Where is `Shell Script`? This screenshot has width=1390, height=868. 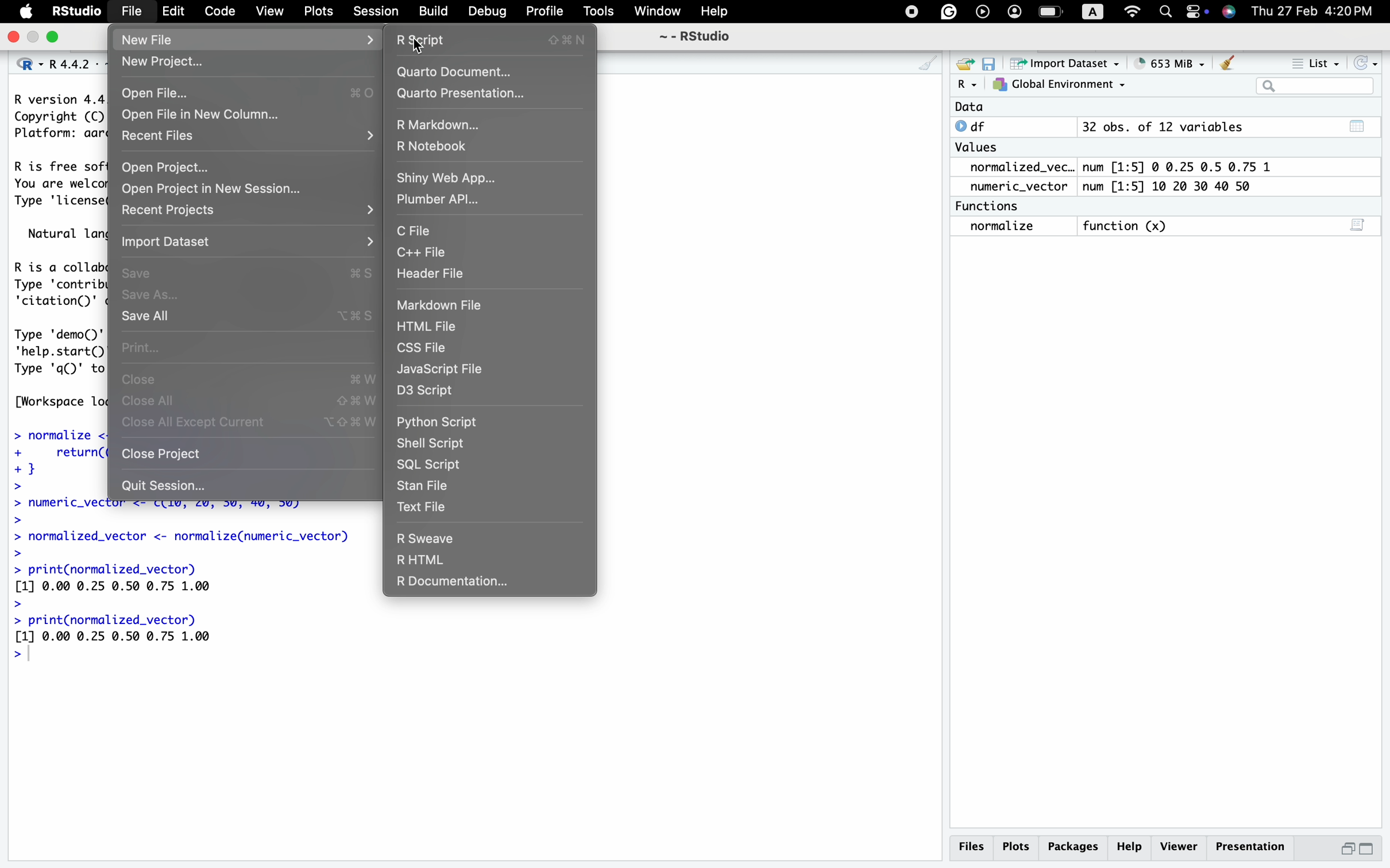 Shell Script is located at coordinates (433, 441).